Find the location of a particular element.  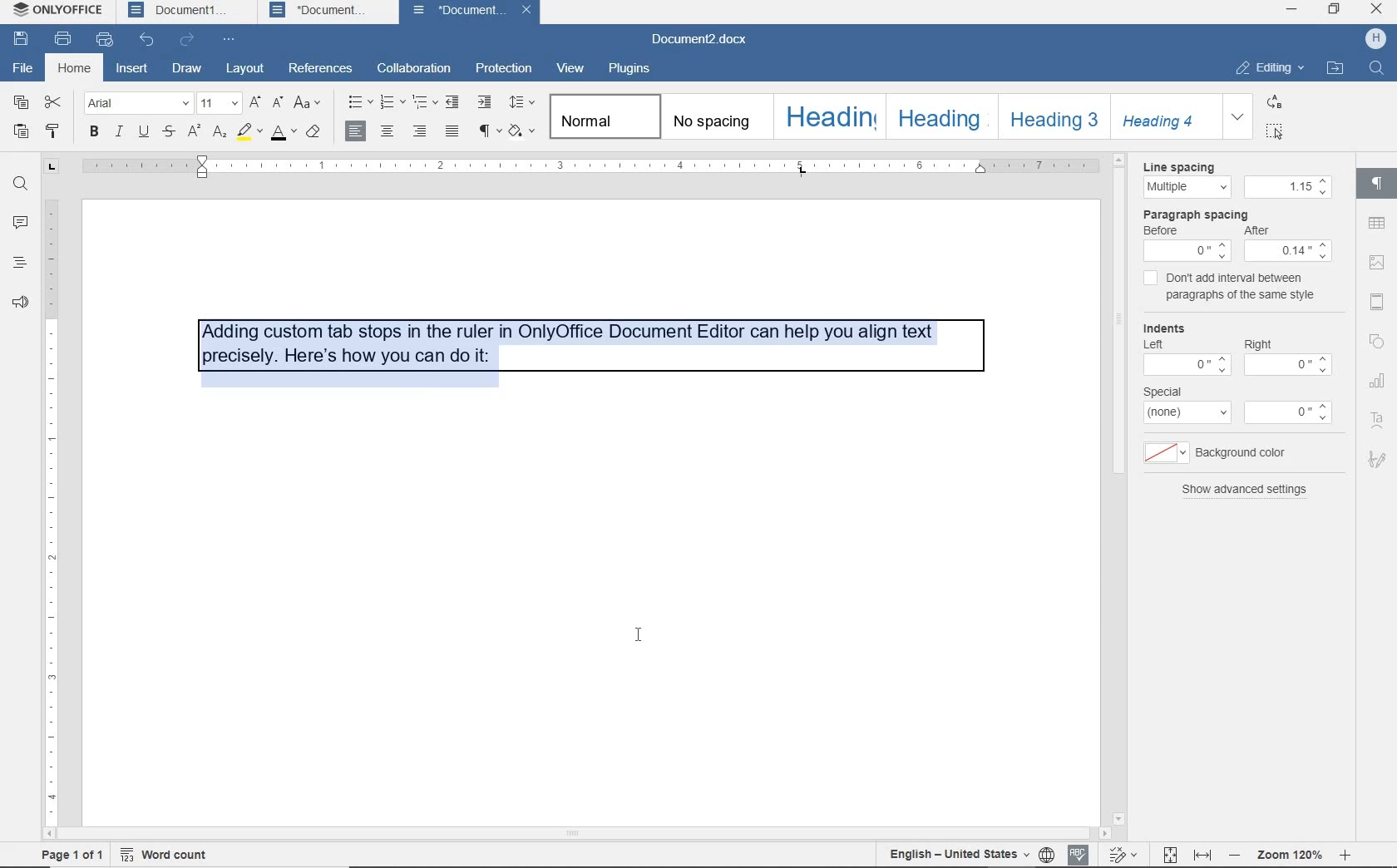

checkbox is located at coordinates (1148, 279).